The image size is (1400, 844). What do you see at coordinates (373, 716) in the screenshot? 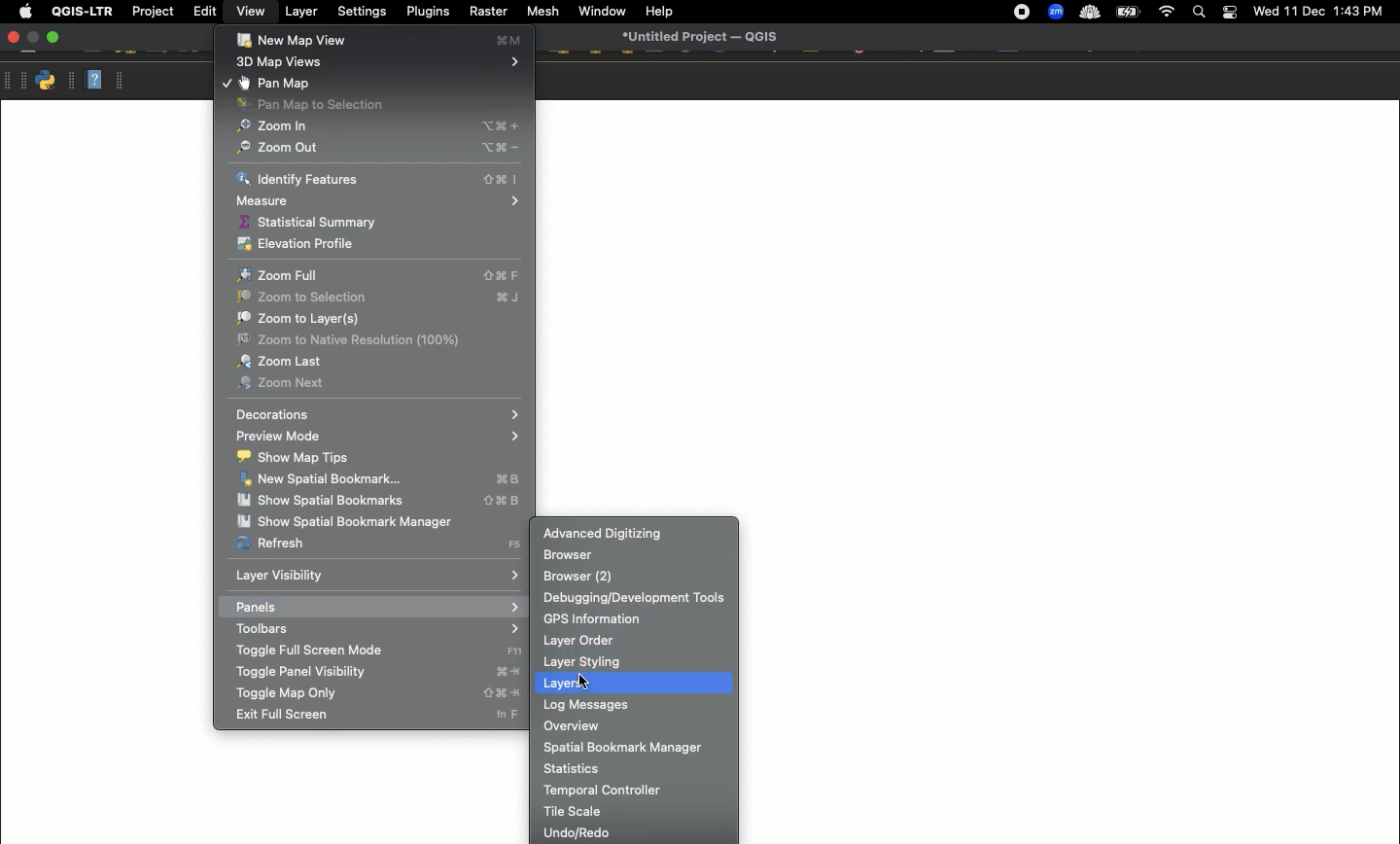
I see `Ext full screen` at bounding box center [373, 716].